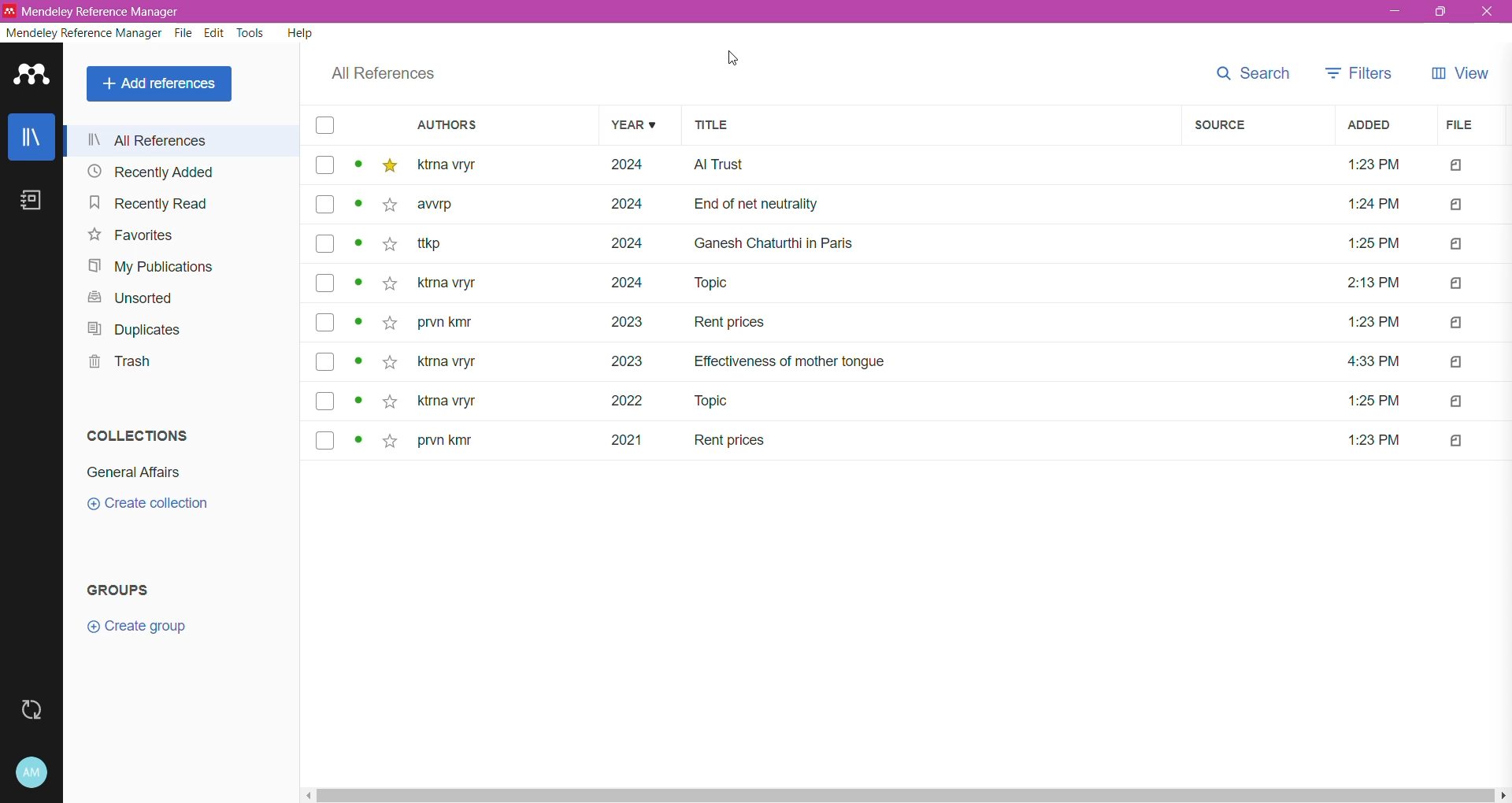  Describe the element at coordinates (182, 139) in the screenshot. I see `All References` at that location.